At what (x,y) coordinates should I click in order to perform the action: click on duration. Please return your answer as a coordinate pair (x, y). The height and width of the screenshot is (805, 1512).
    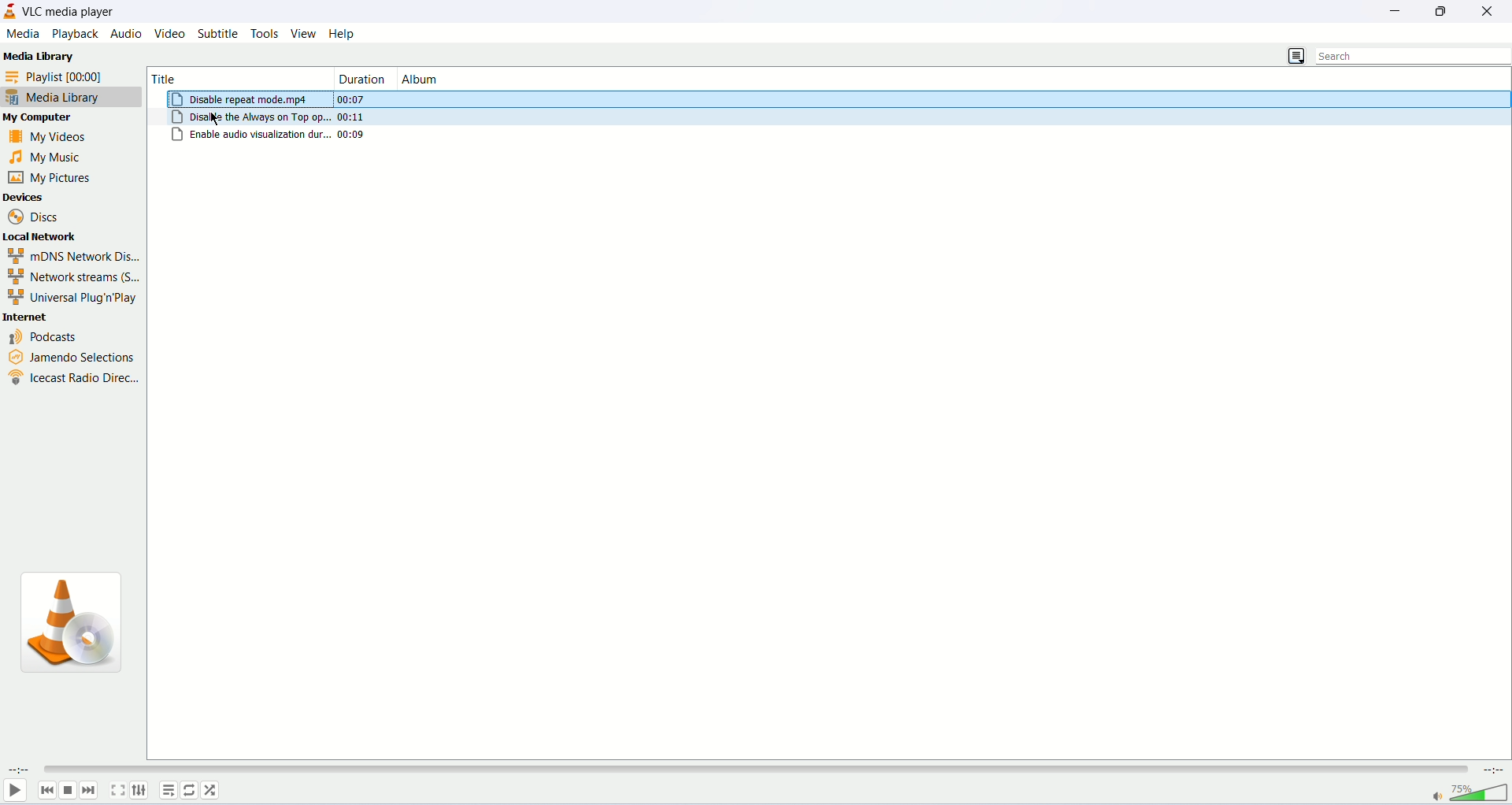
    Looking at the image, I should click on (363, 78).